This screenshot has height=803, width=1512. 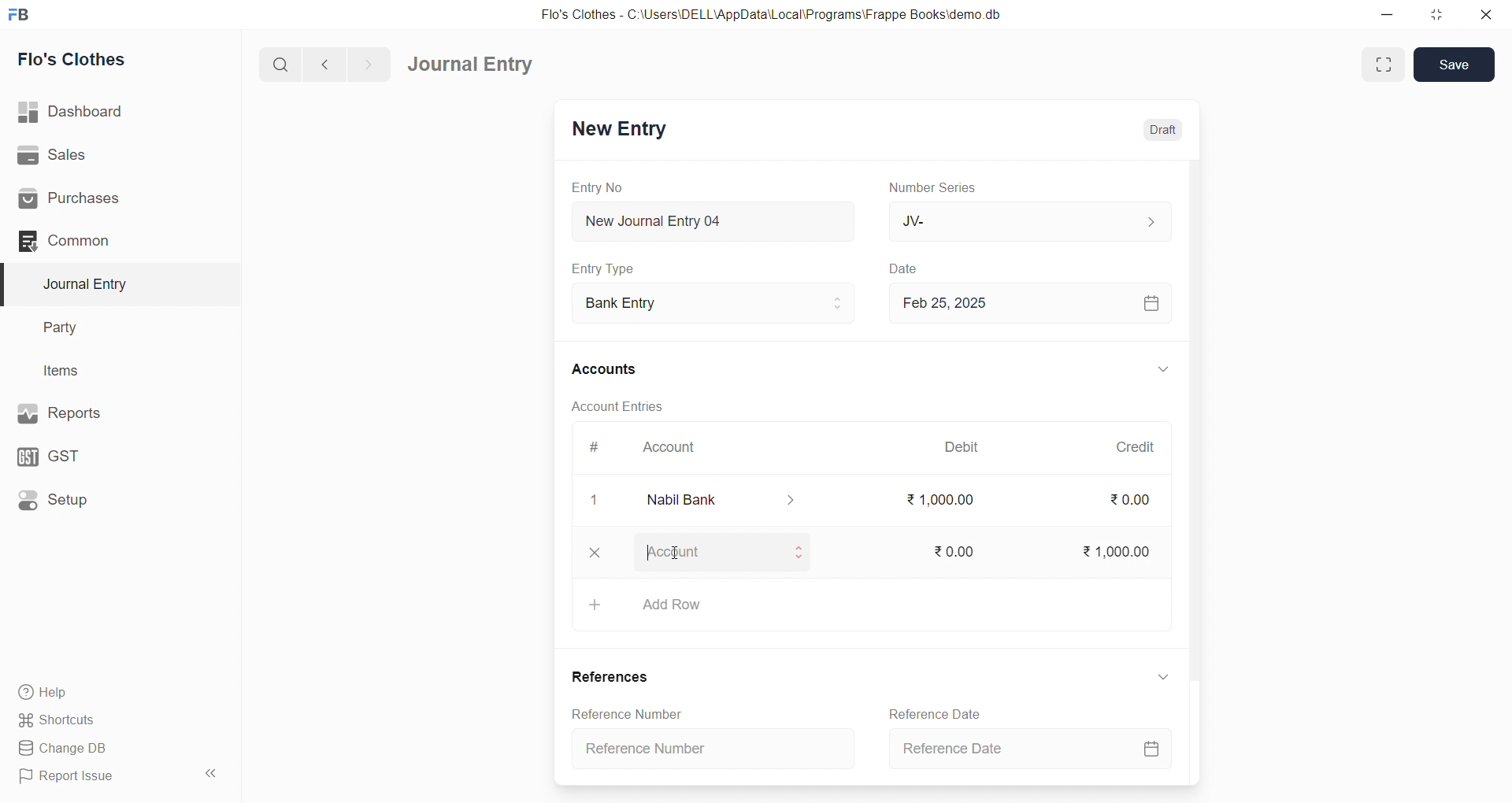 What do you see at coordinates (962, 449) in the screenshot?
I see `Debit` at bounding box center [962, 449].